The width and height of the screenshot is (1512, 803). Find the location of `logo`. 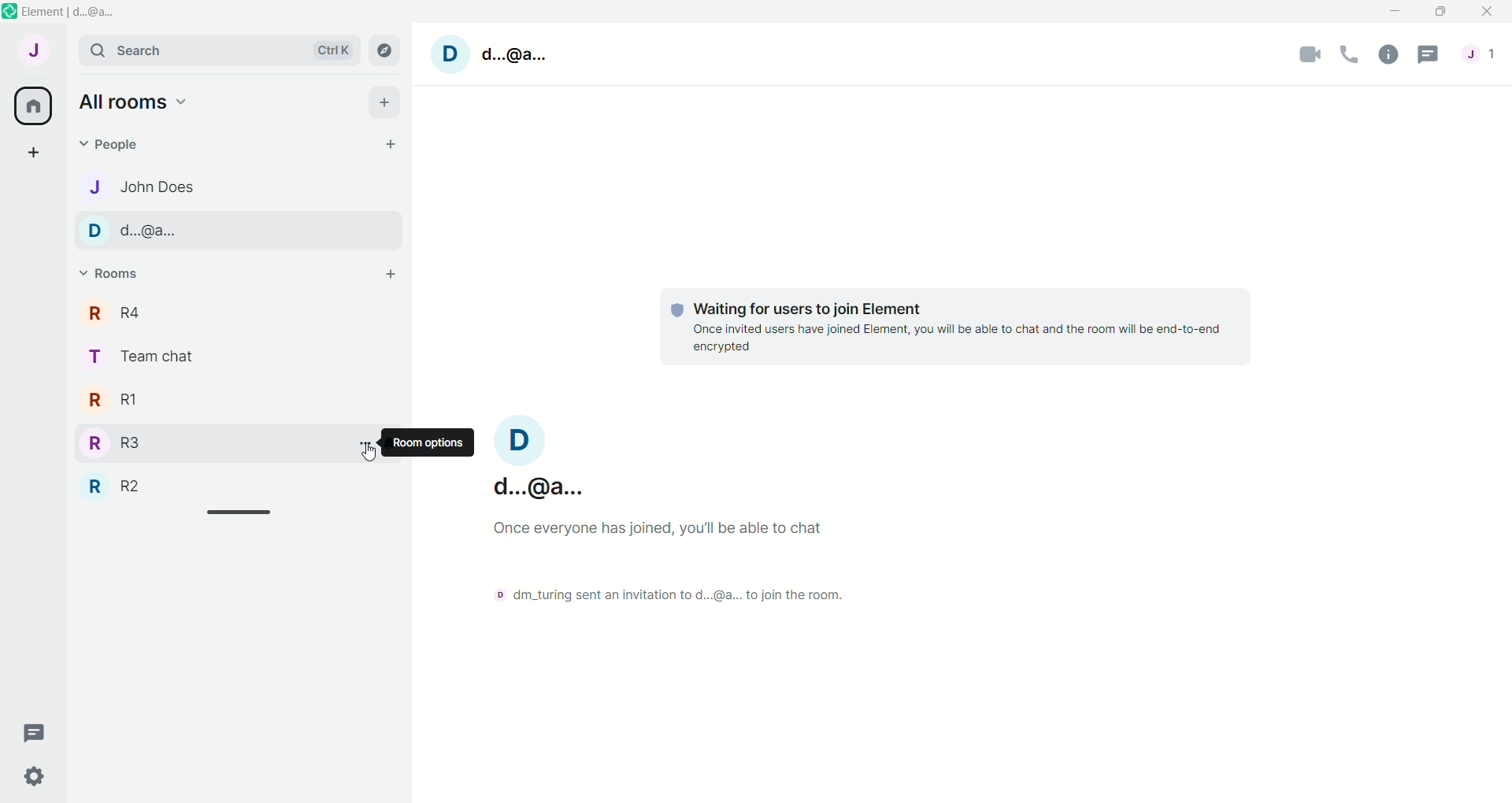

logo is located at coordinates (10, 12).